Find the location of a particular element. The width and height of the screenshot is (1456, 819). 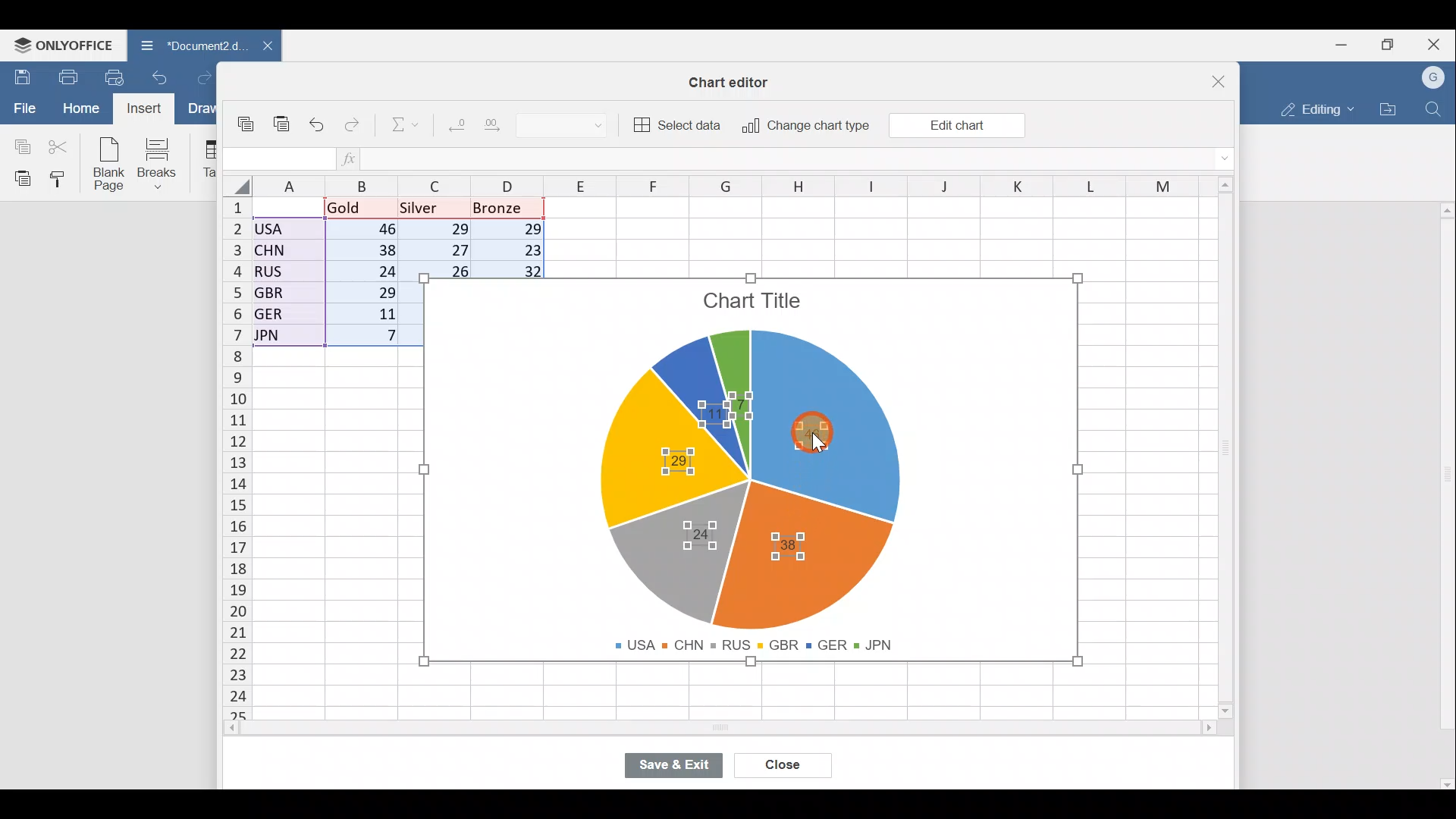

Columns is located at coordinates (745, 186).